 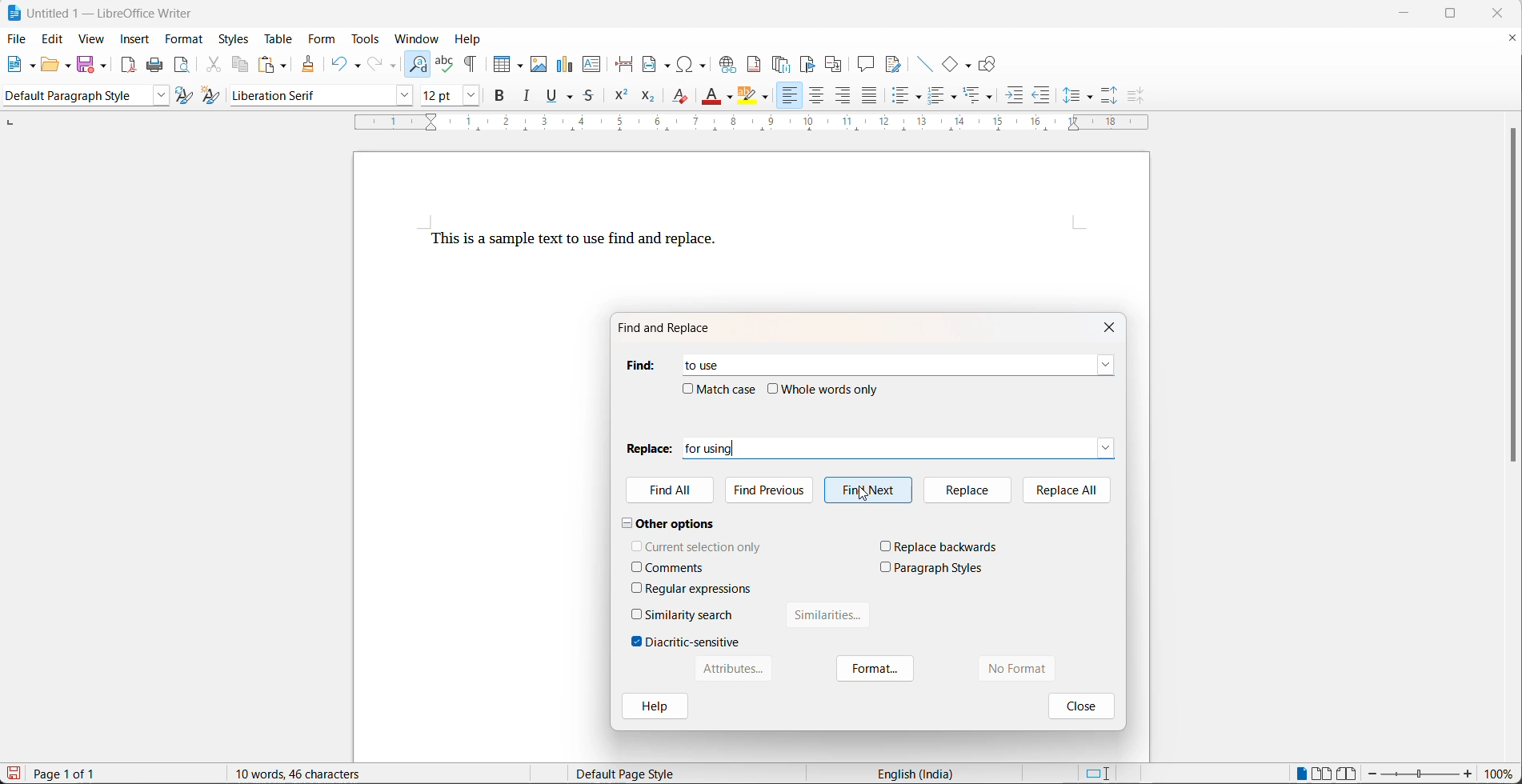 I want to click on find next, so click(x=868, y=490).